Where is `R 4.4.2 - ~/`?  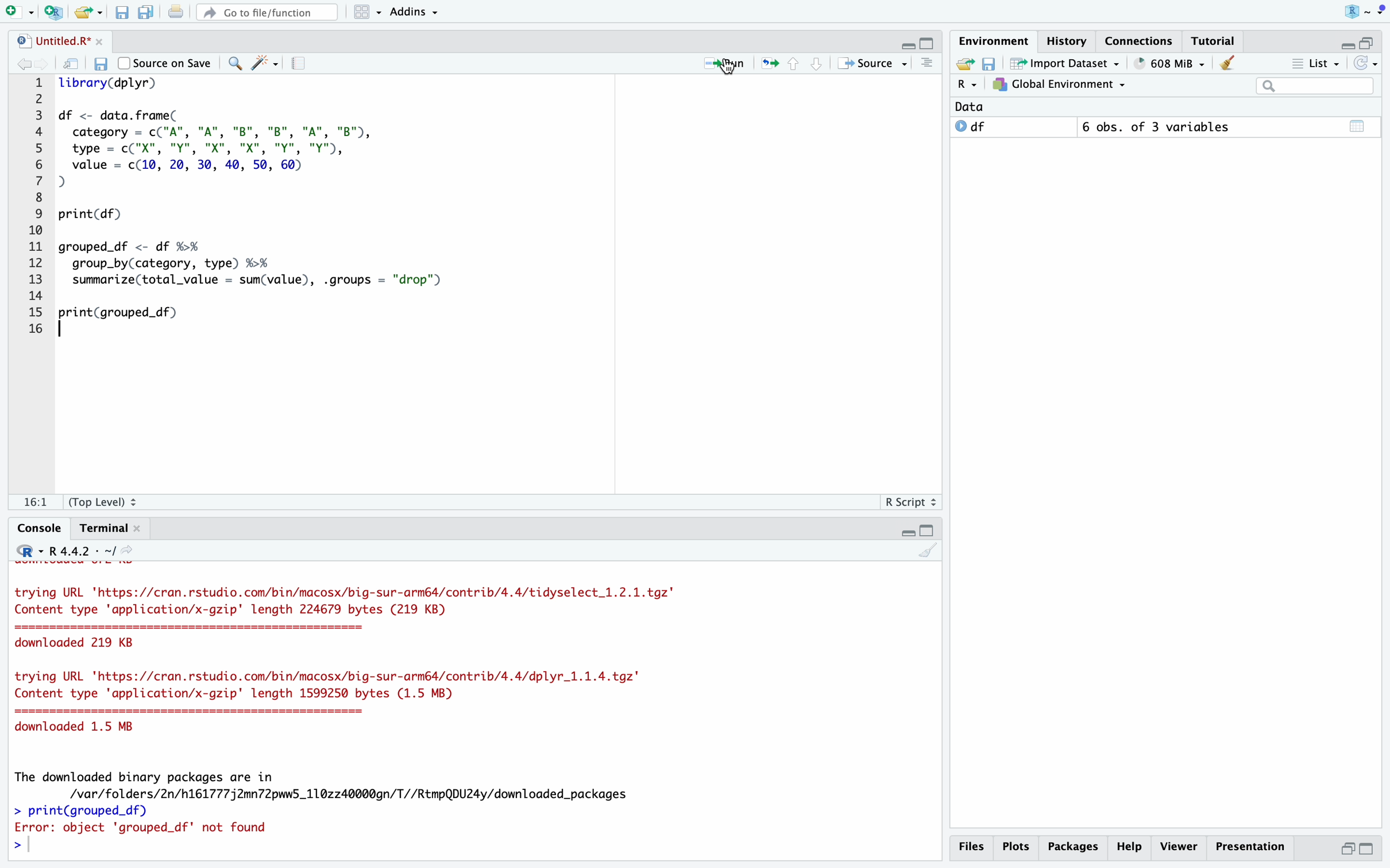
R 4.4.2 - ~/ is located at coordinates (75, 550).